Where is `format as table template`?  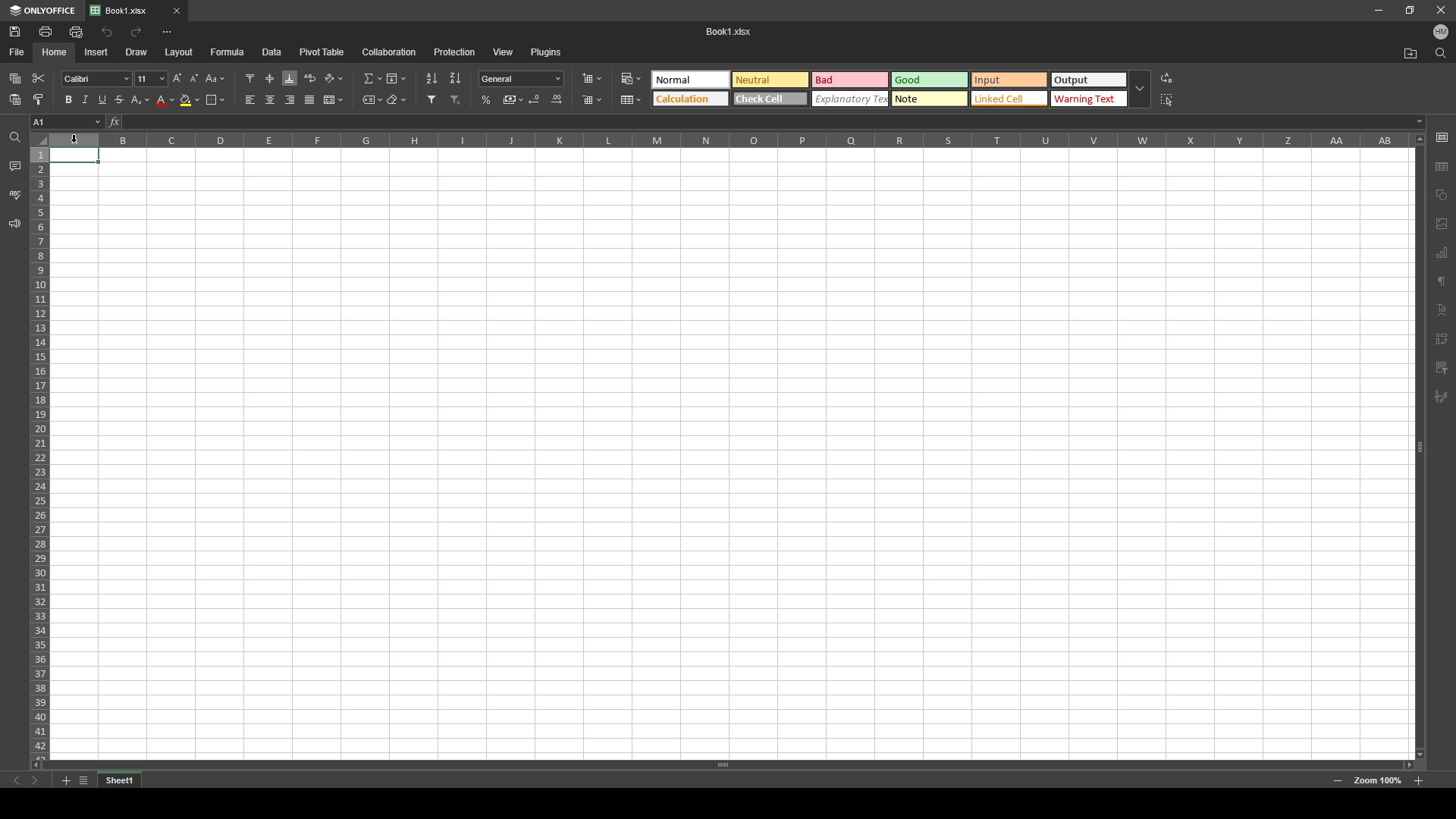 format as table template is located at coordinates (632, 100).